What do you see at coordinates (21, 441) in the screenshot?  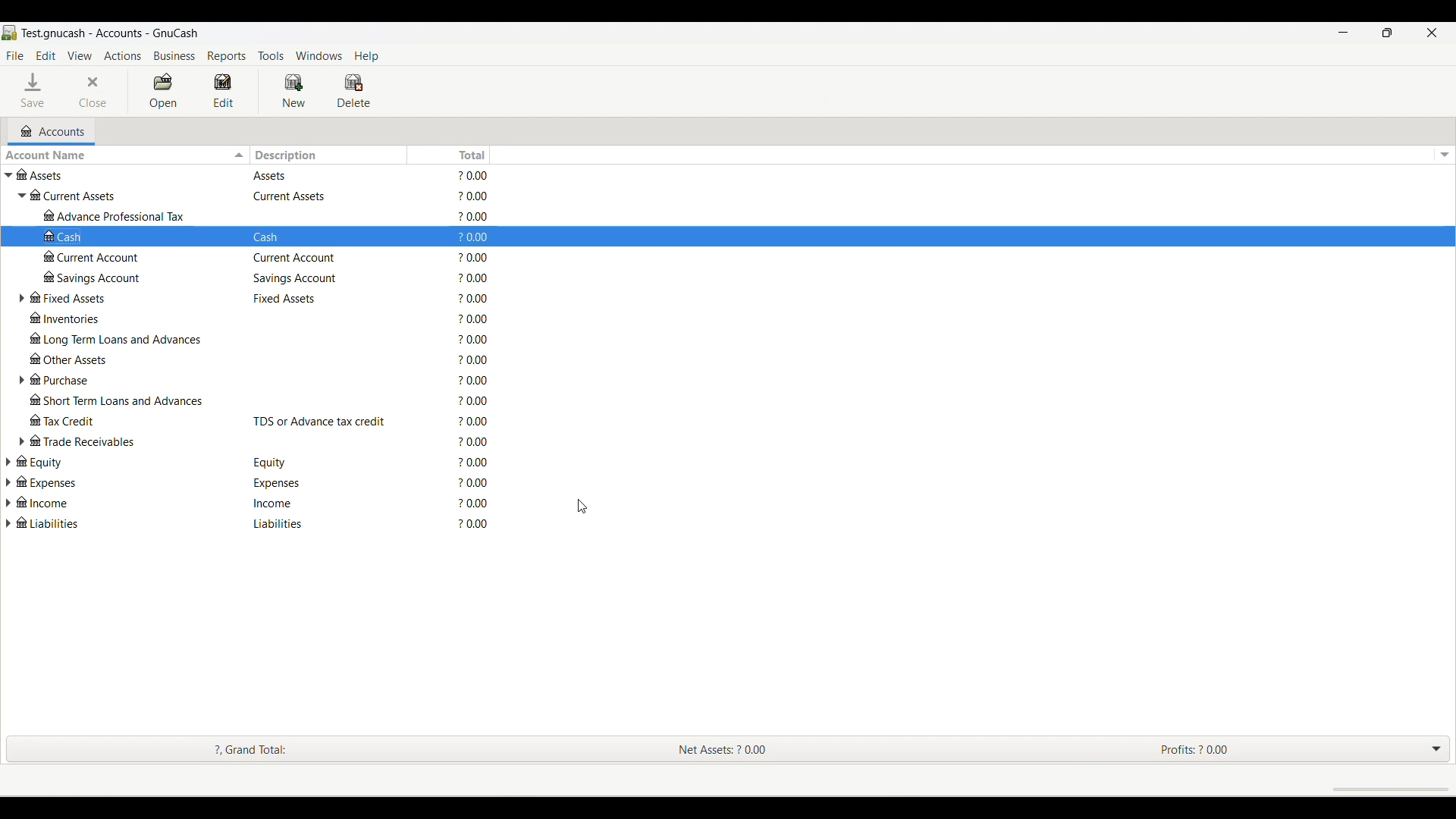 I see `Expand Trade Receivables` at bounding box center [21, 441].